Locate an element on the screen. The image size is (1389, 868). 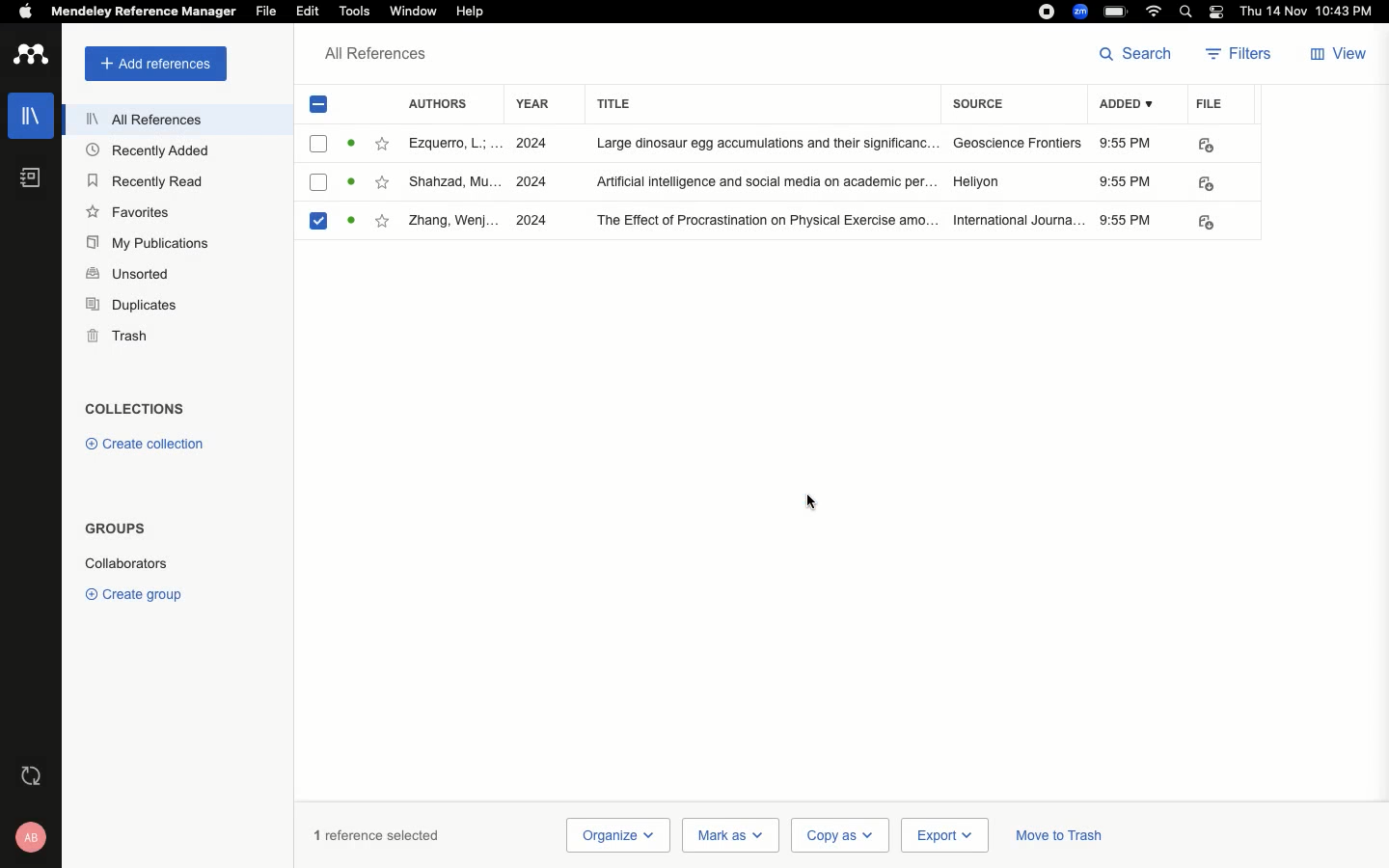
Recently added is located at coordinates (155, 151).